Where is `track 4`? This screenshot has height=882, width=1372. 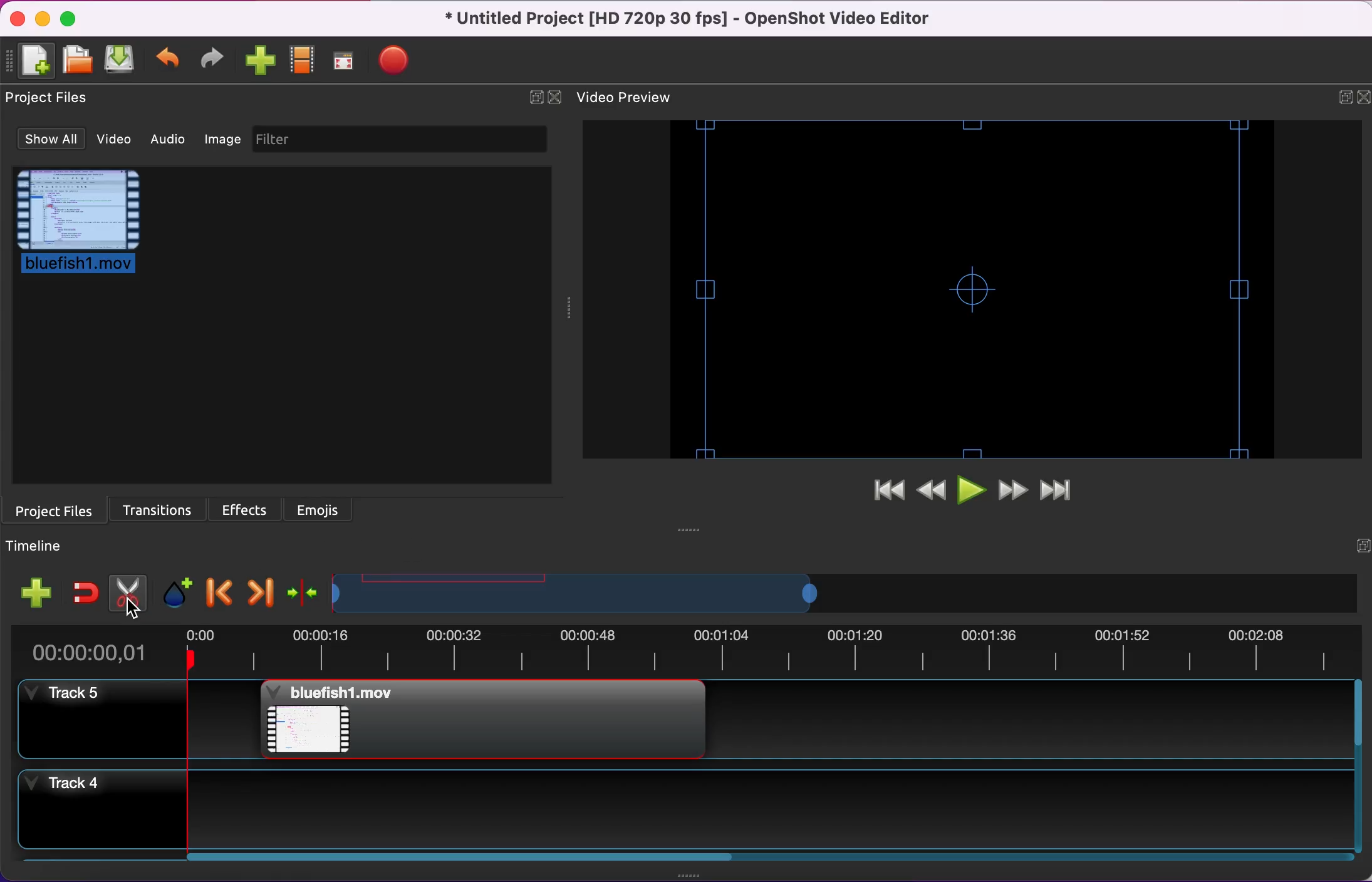
track 4 is located at coordinates (104, 816).